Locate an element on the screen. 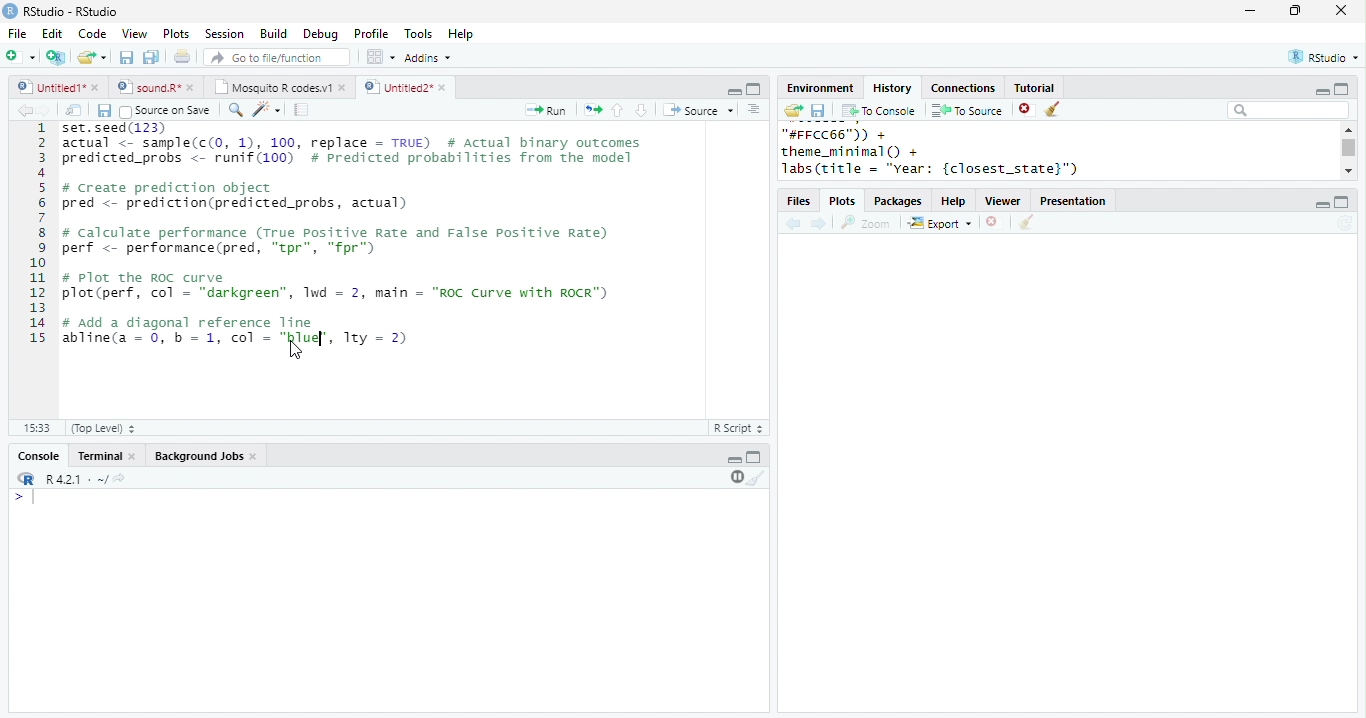 The image size is (1366, 718). R Script is located at coordinates (739, 427).